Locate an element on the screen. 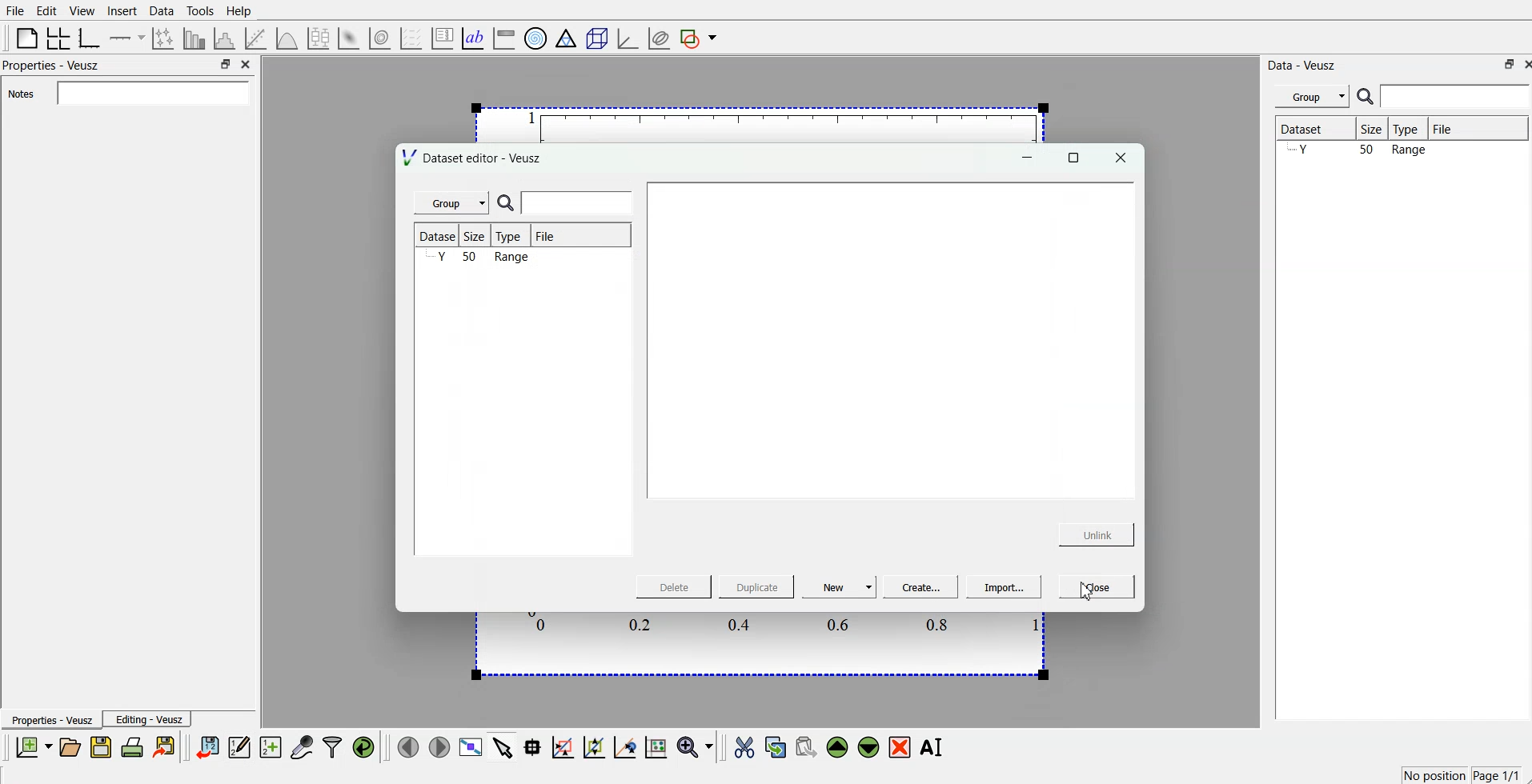  paste the selected widgets is located at coordinates (806, 748).